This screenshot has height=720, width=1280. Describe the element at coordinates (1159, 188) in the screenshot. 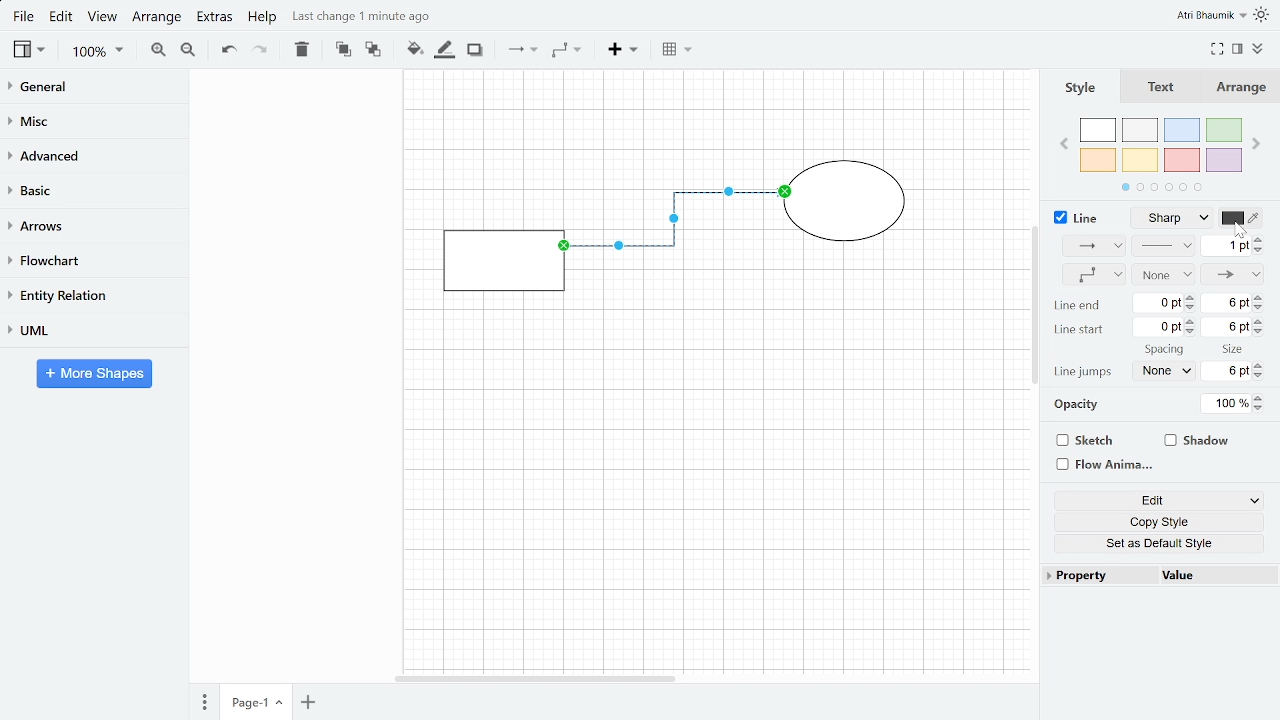

I see `pages in color` at that location.